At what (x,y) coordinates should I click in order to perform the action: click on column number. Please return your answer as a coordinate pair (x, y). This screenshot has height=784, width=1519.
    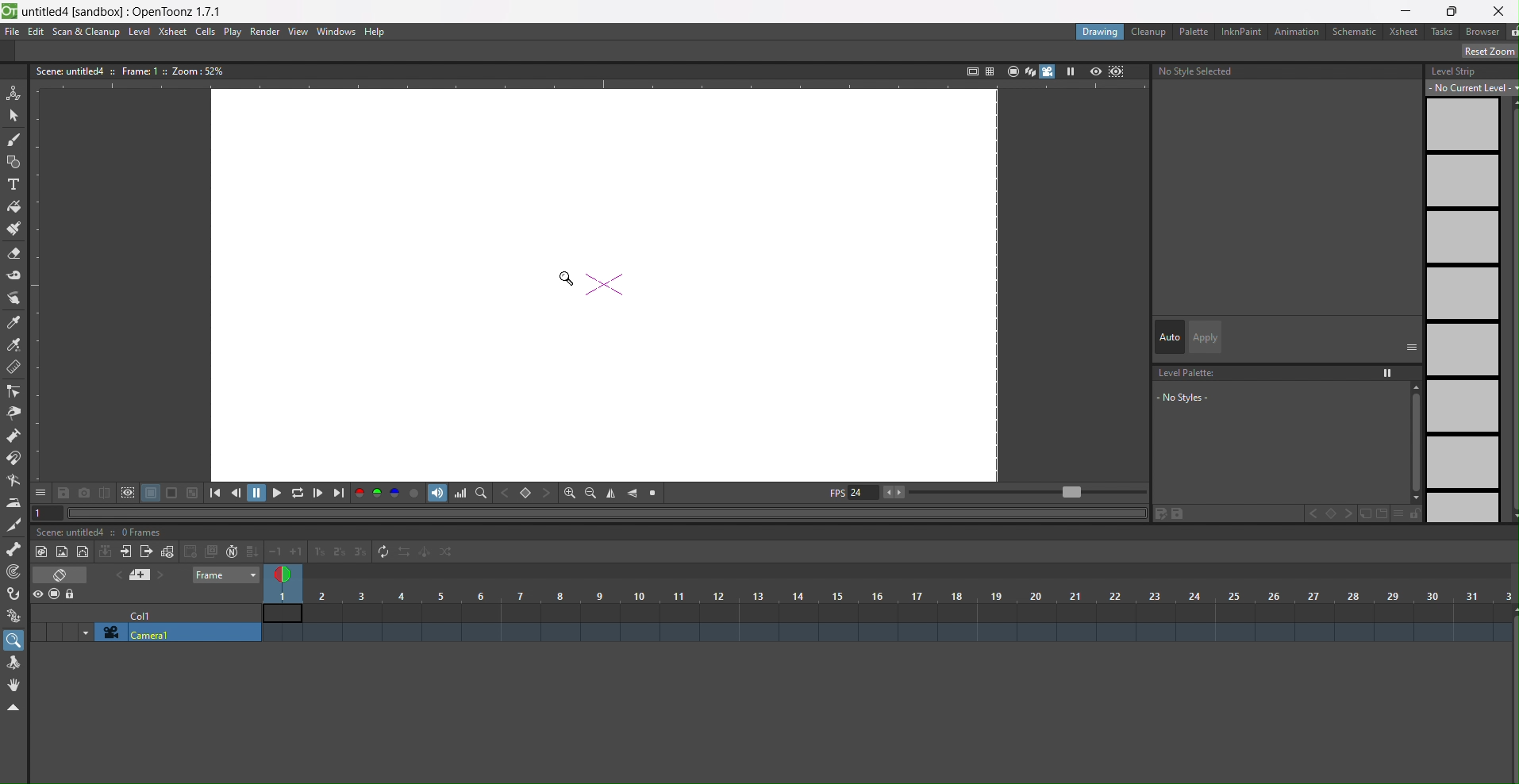
    Looking at the image, I should click on (889, 604).